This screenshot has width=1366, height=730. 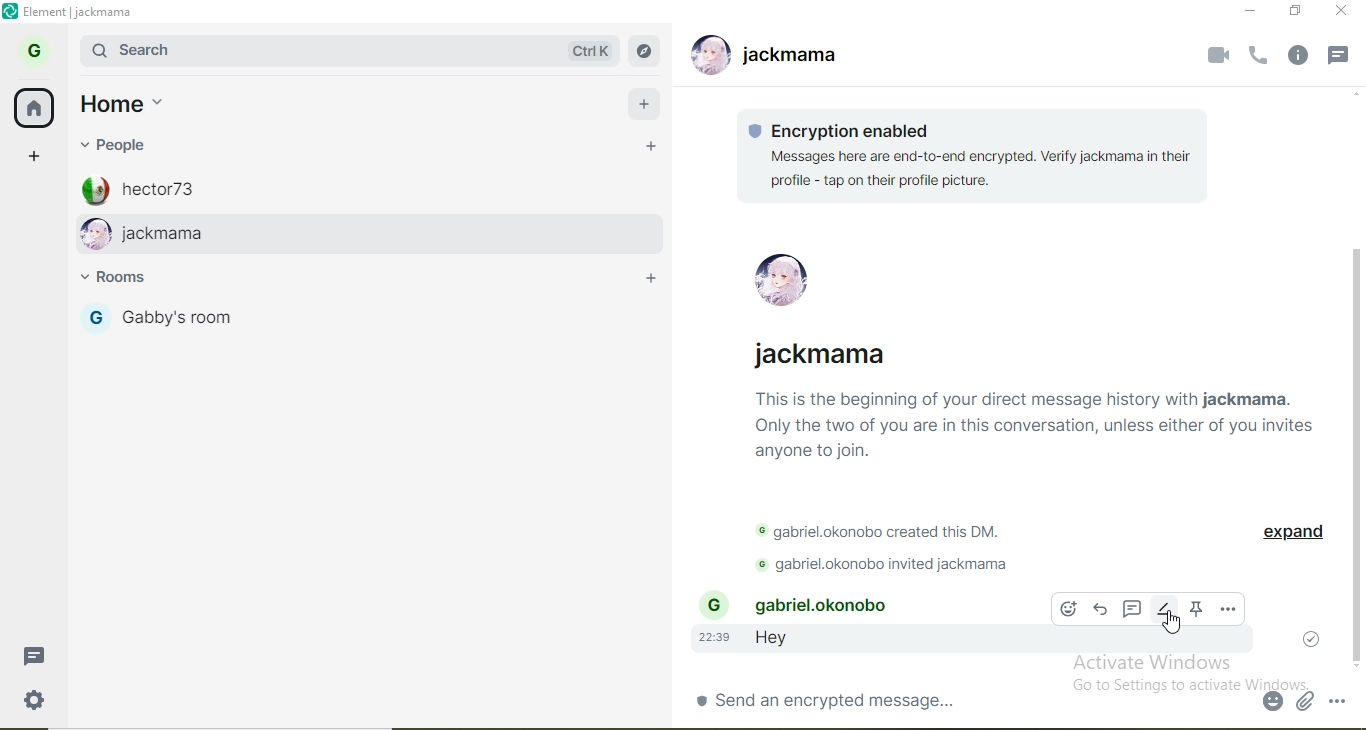 I want to click on text 1, so click(x=978, y=154).